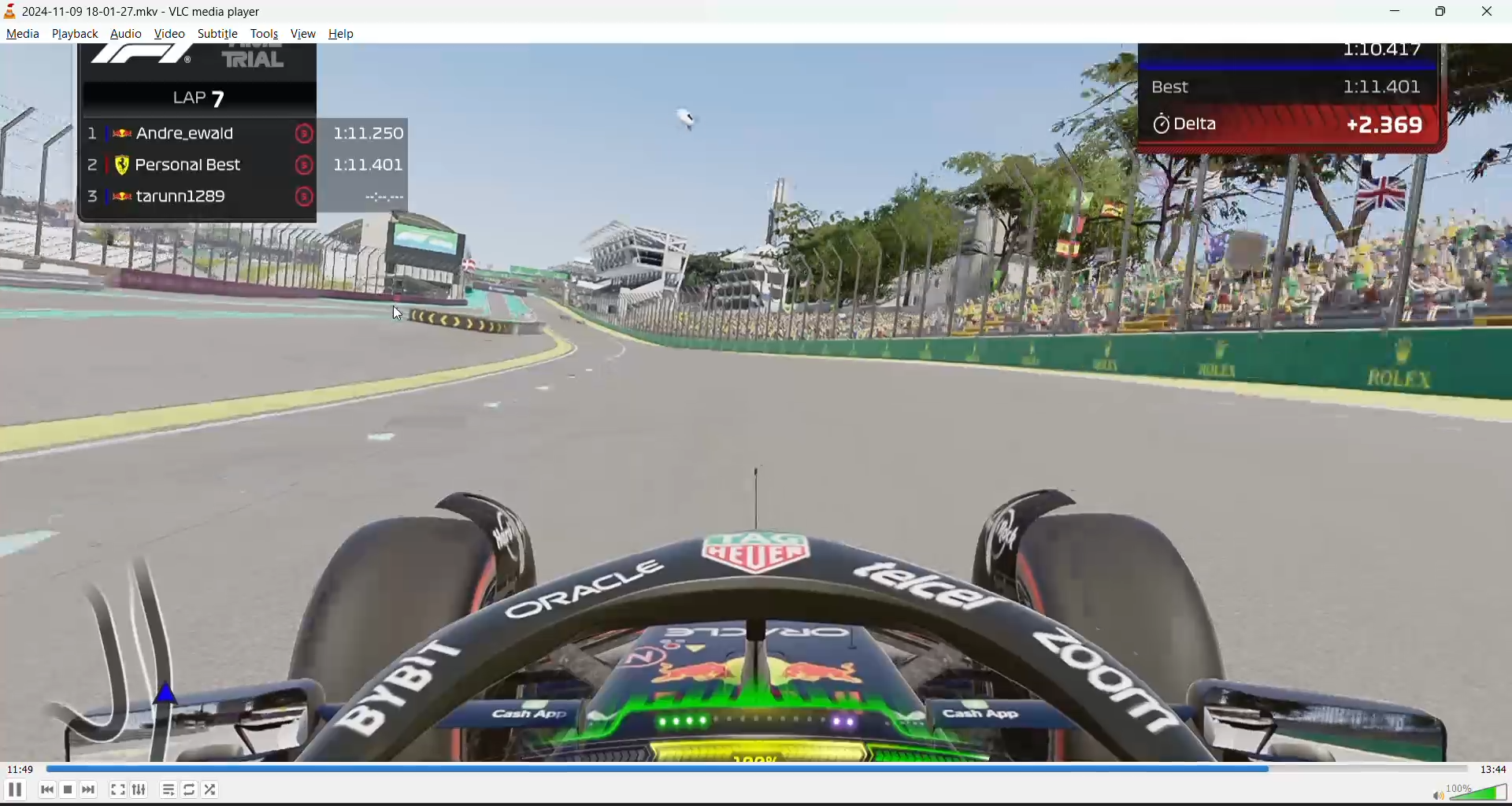  Describe the element at coordinates (50, 789) in the screenshot. I see `previous` at that location.